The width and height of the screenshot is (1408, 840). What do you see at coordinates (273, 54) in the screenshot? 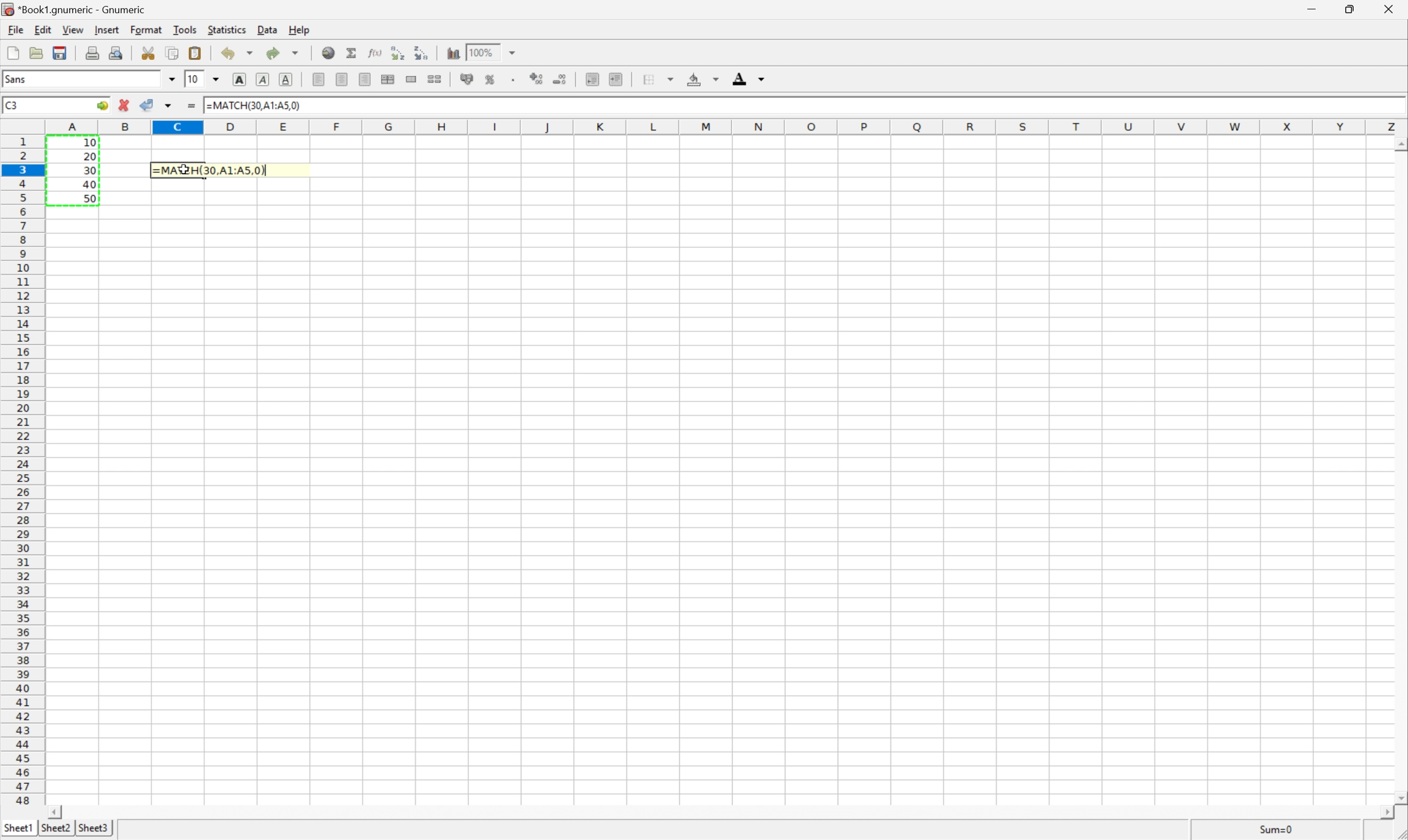
I see `redo` at bounding box center [273, 54].